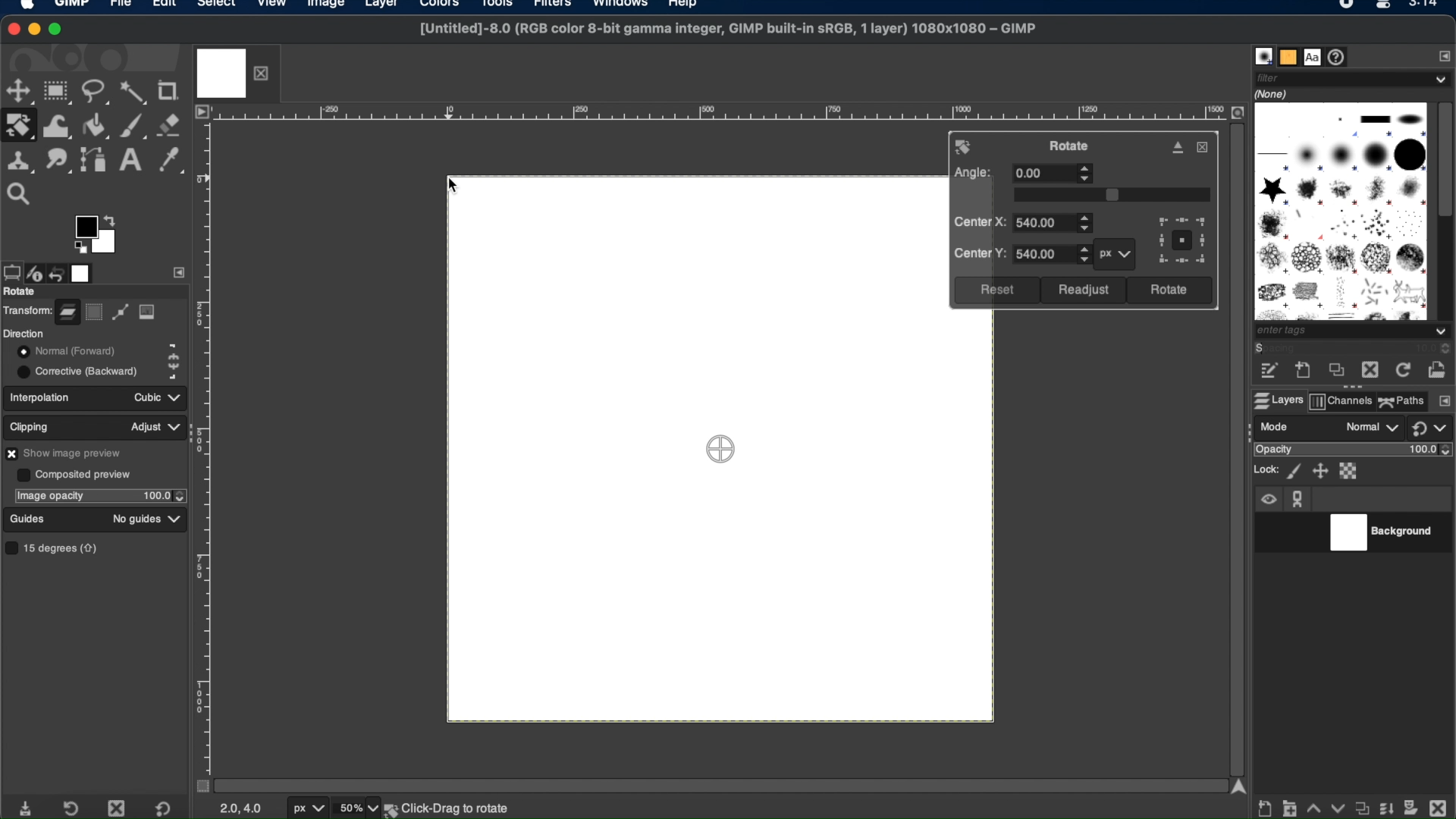 The height and width of the screenshot is (819, 1456). What do you see at coordinates (171, 161) in the screenshot?
I see `color picker tool` at bounding box center [171, 161].